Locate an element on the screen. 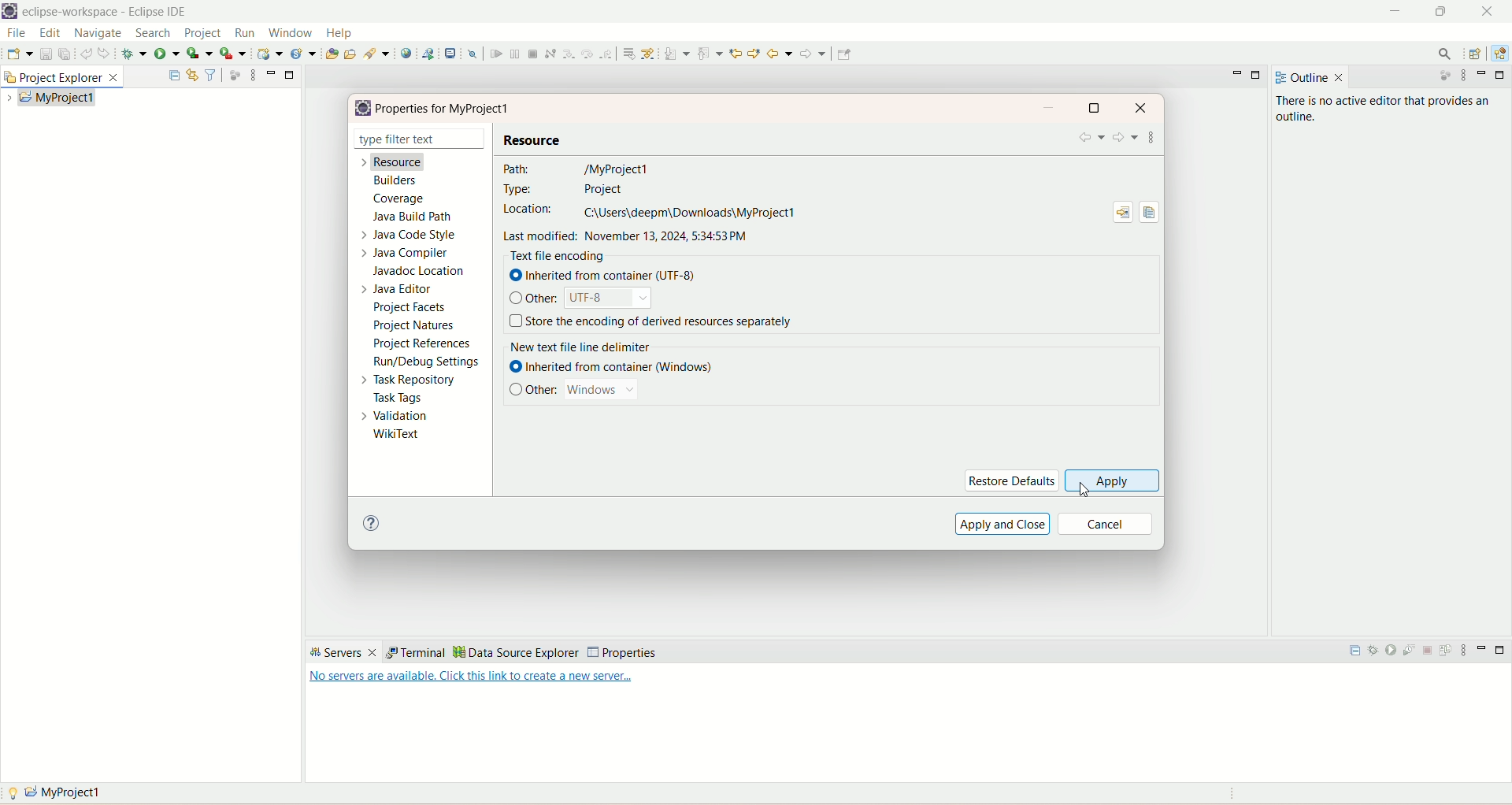 This screenshot has width=1512, height=805. filter is located at coordinates (209, 75).